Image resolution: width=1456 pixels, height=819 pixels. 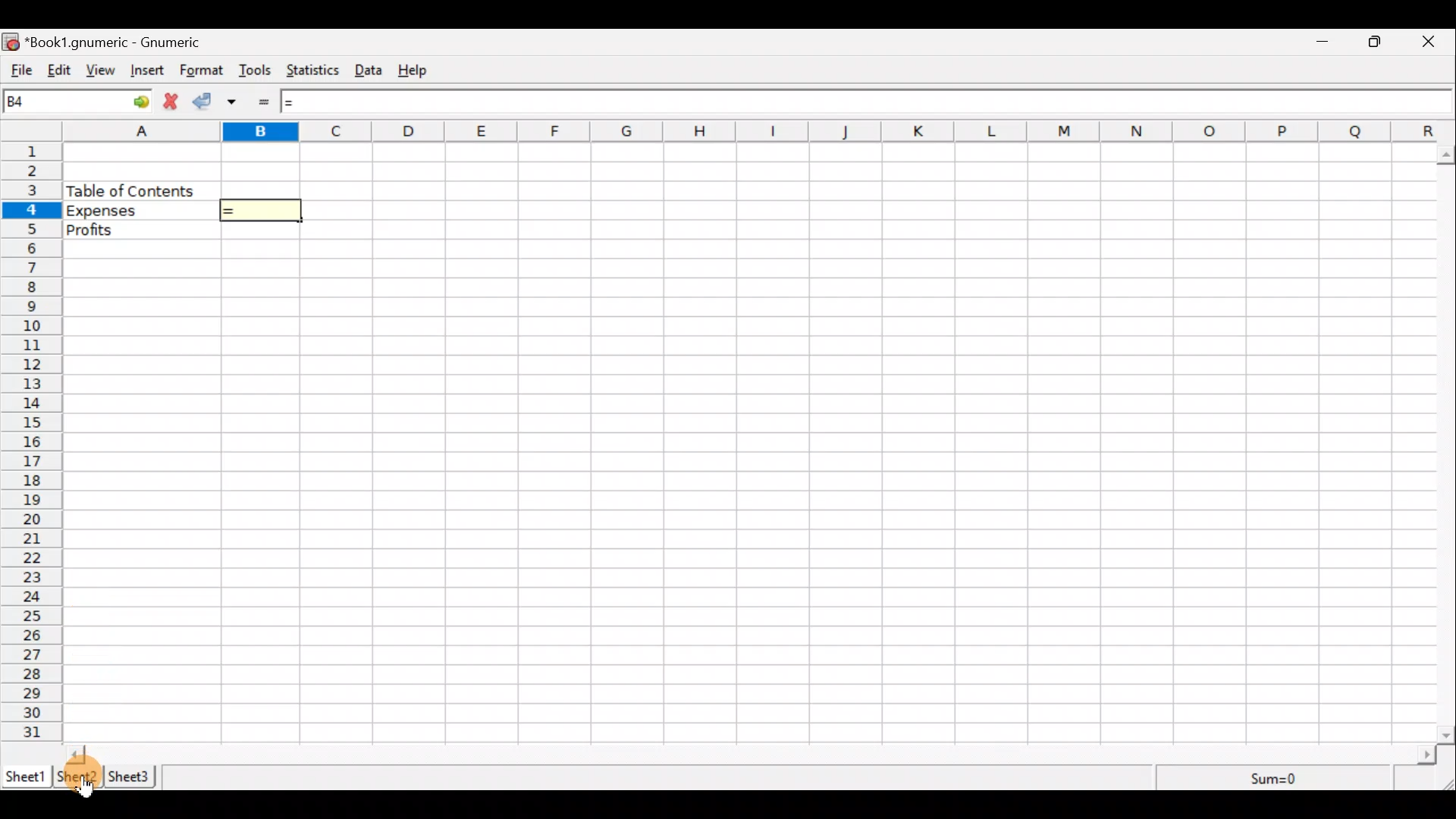 What do you see at coordinates (737, 132) in the screenshot?
I see `alphabets row` at bounding box center [737, 132].